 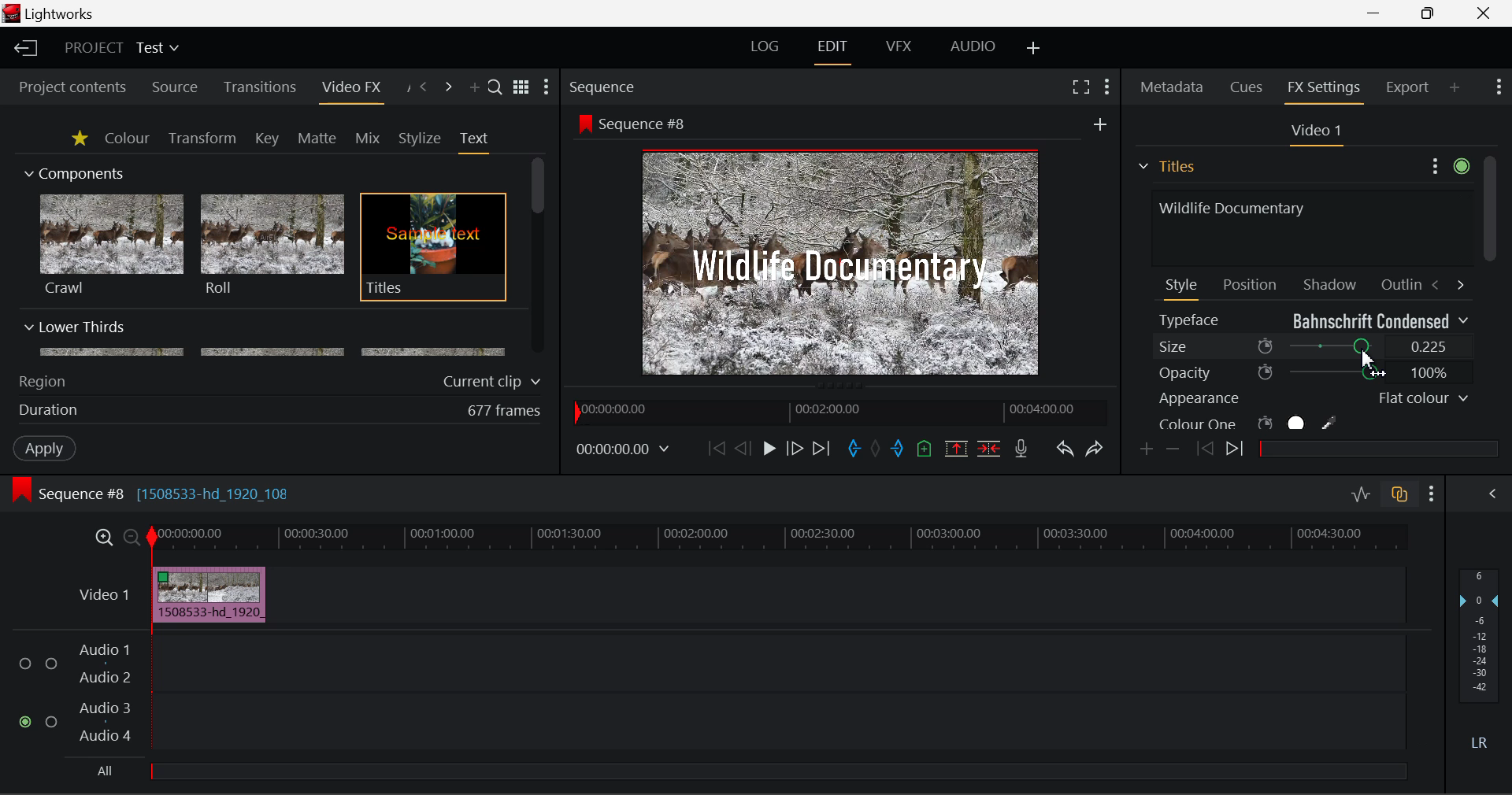 I want to click on Transitions, so click(x=260, y=87).